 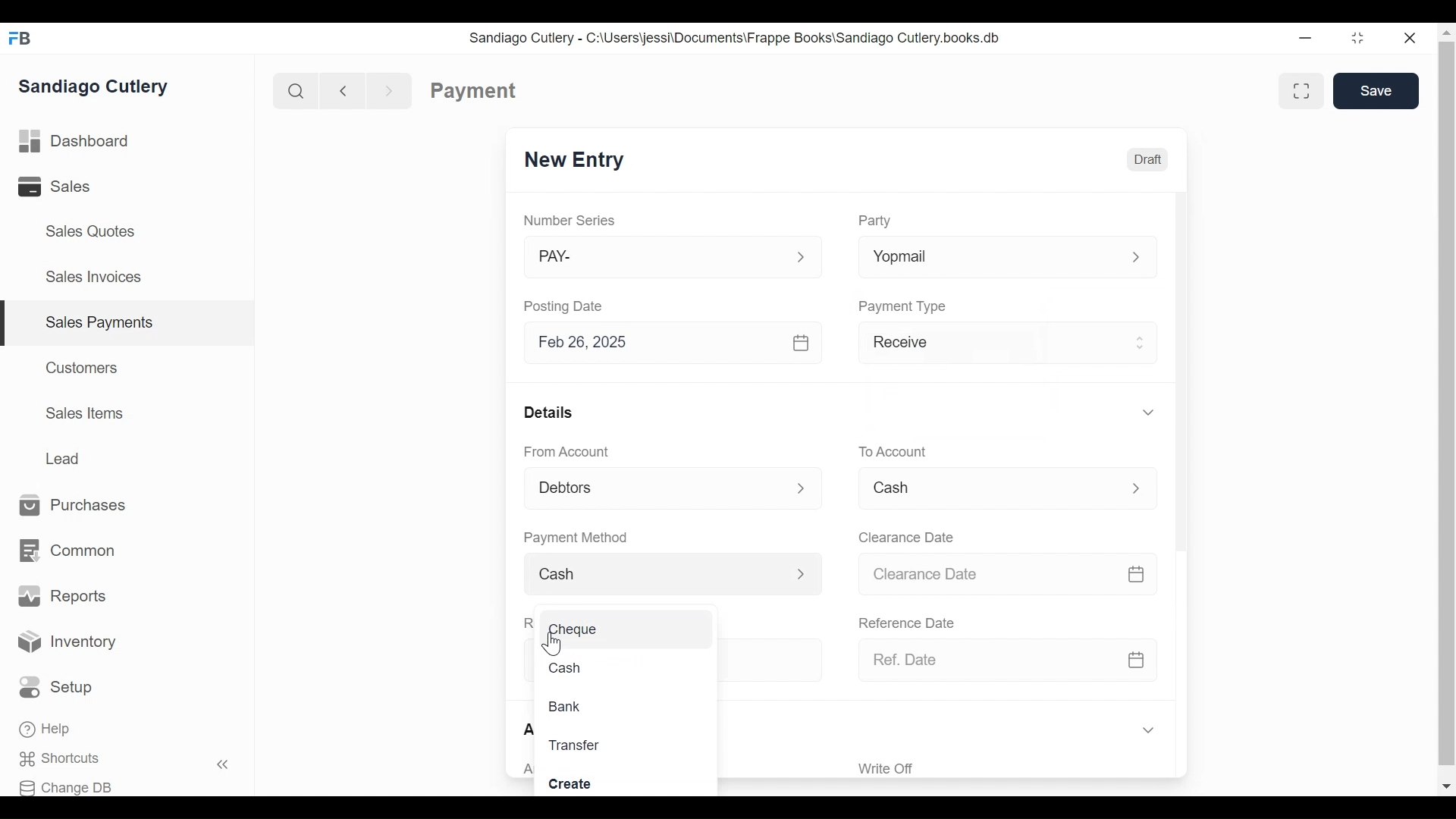 I want to click on Cash, so click(x=983, y=486).